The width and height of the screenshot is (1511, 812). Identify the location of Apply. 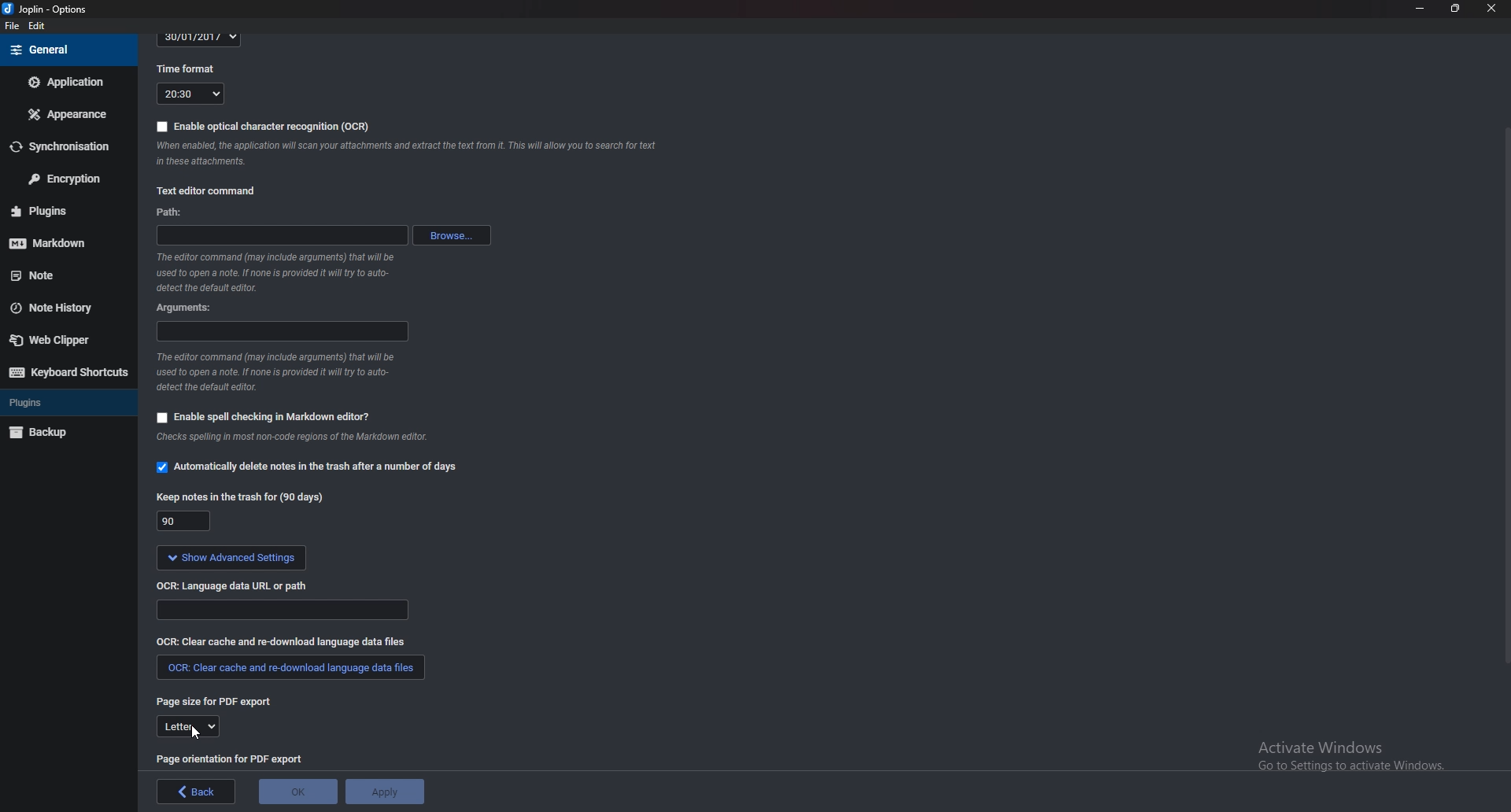
(385, 792).